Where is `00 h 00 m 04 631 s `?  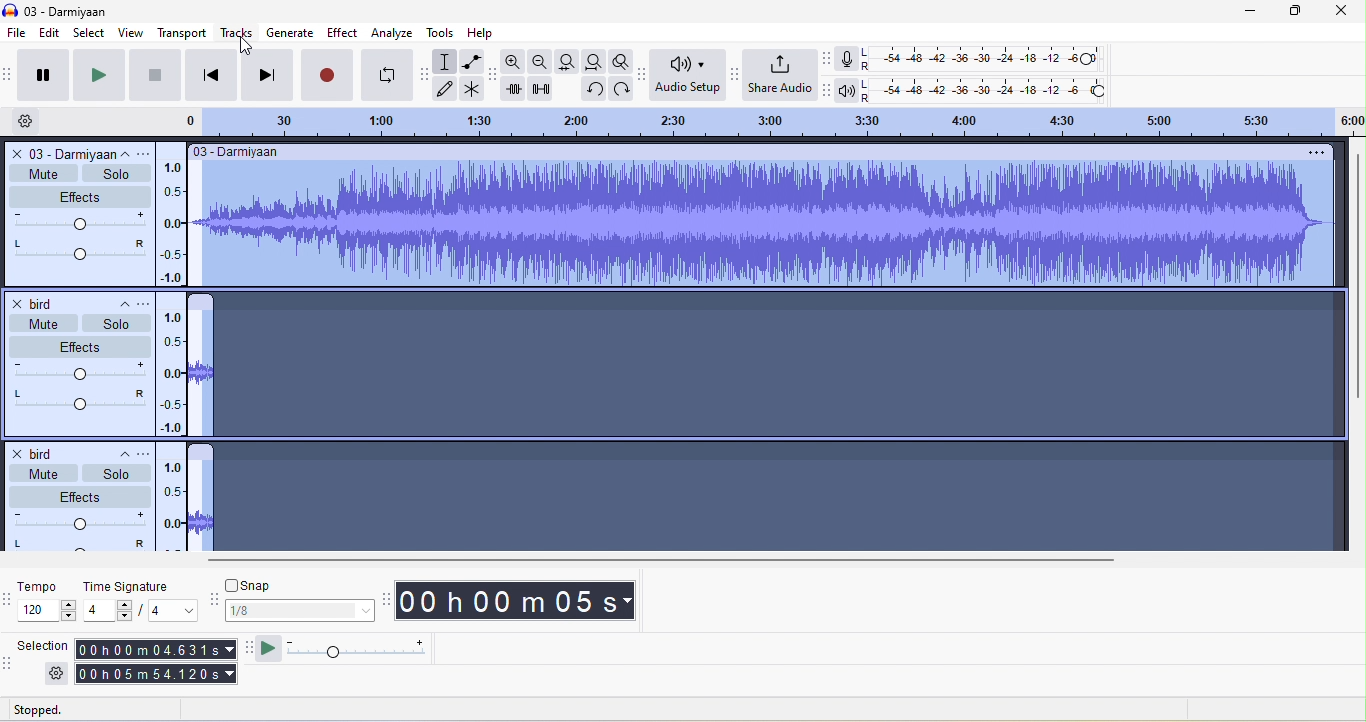
00 h 00 m 04 631 s  is located at coordinates (158, 647).